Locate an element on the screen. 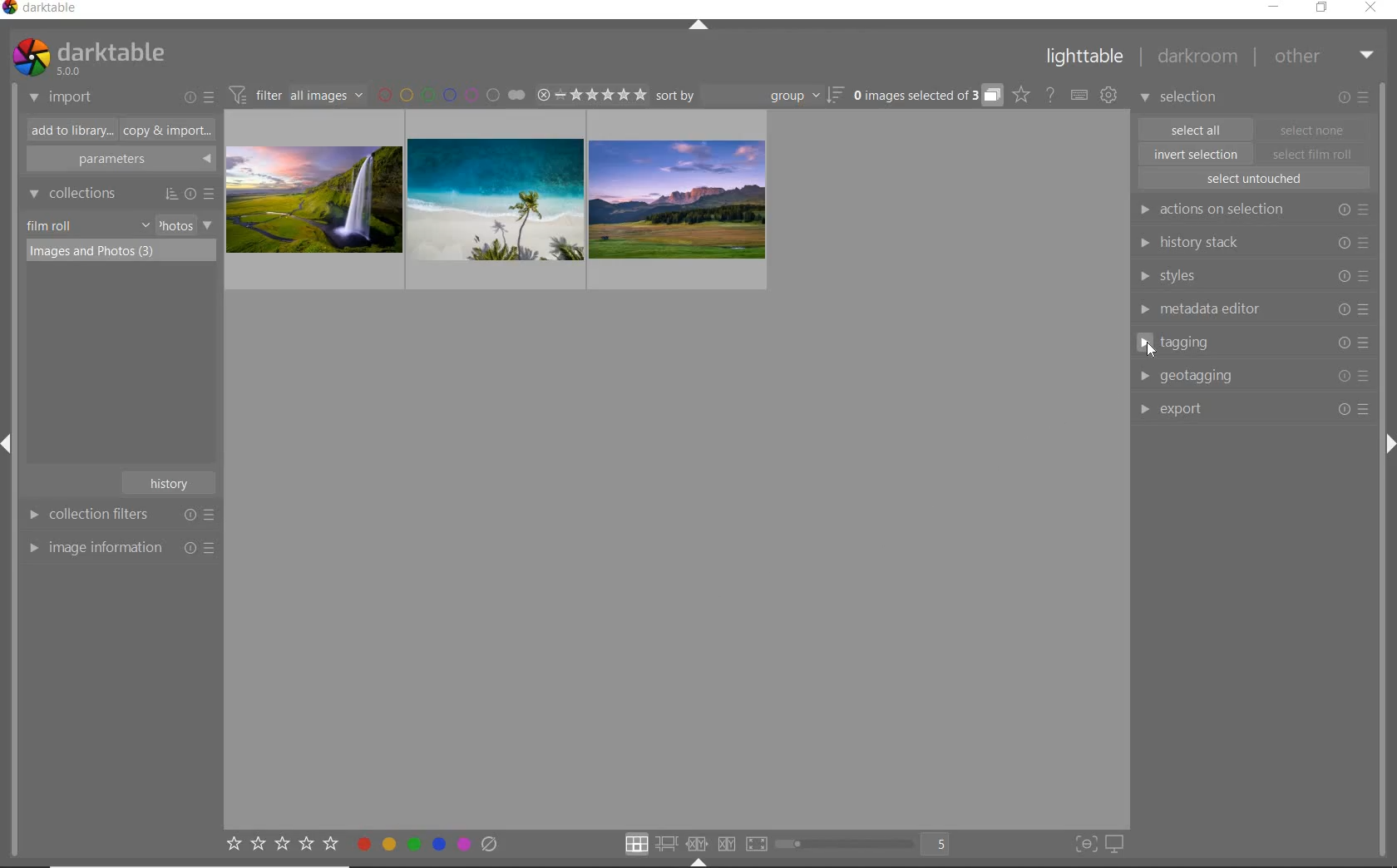 This screenshot has width=1397, height=868. actions on selection is located at coordinates (1251, 210).